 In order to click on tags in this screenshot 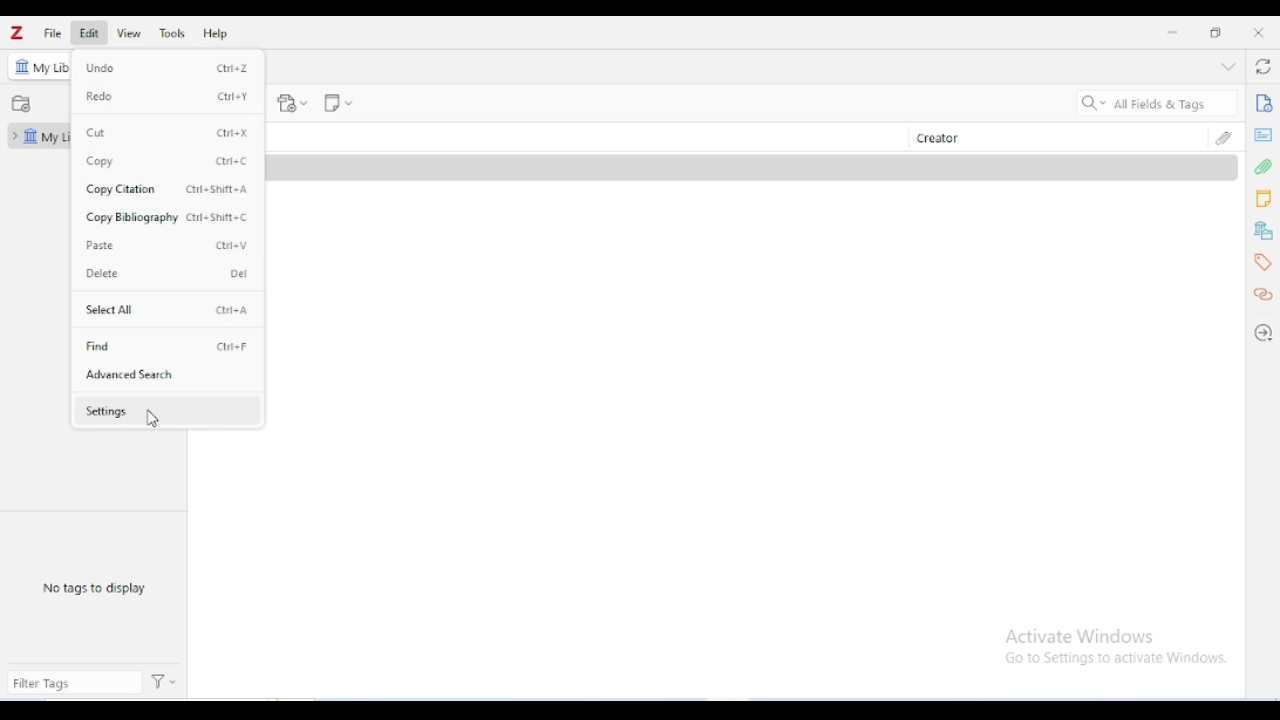, I will do `click(1262, 263)`.